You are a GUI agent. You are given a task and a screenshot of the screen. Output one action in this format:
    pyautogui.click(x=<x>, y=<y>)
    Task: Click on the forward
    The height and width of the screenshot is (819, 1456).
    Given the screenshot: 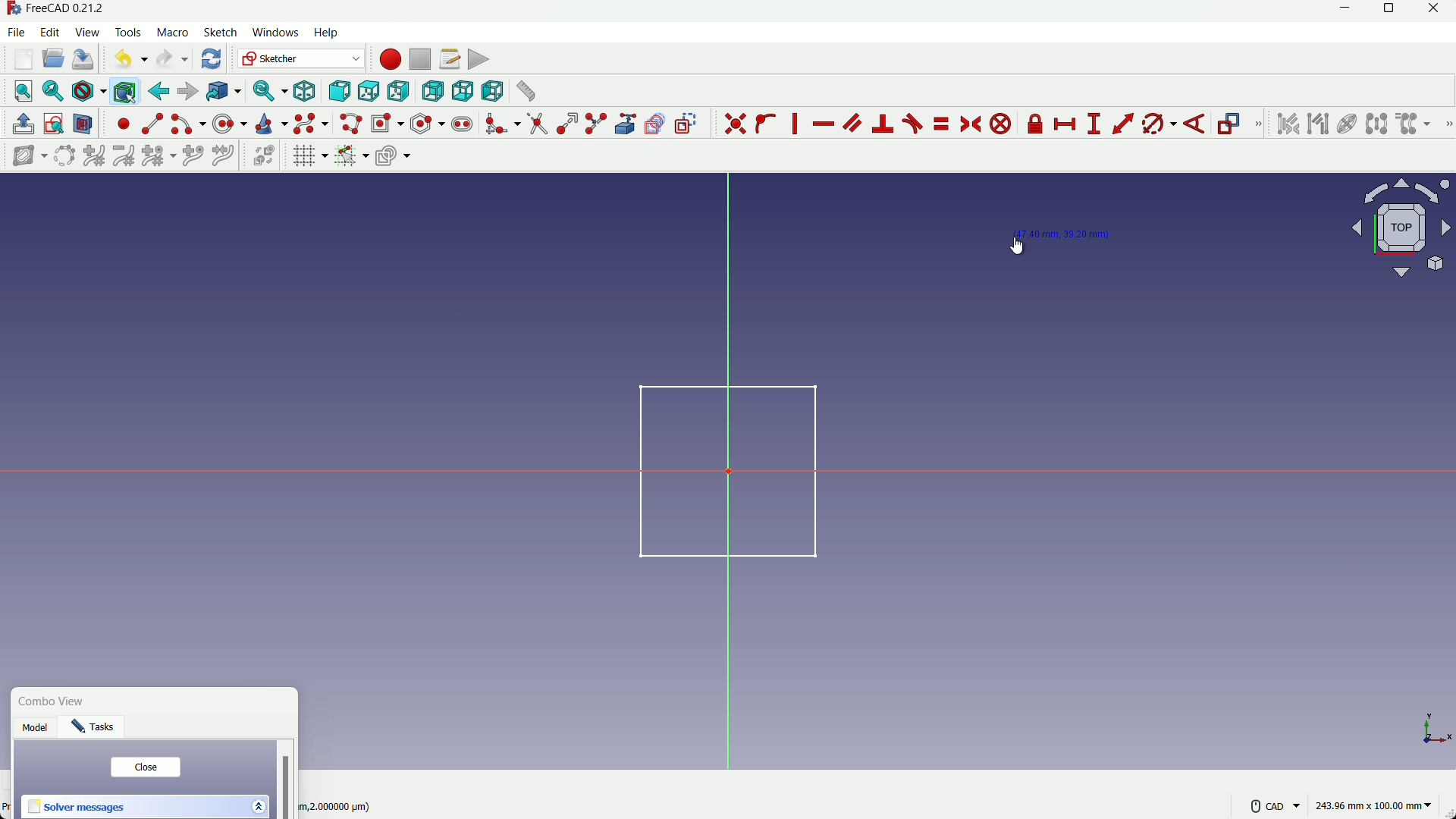 What is the action you would take?
    pyautogui.click(x=187, y=92)
    